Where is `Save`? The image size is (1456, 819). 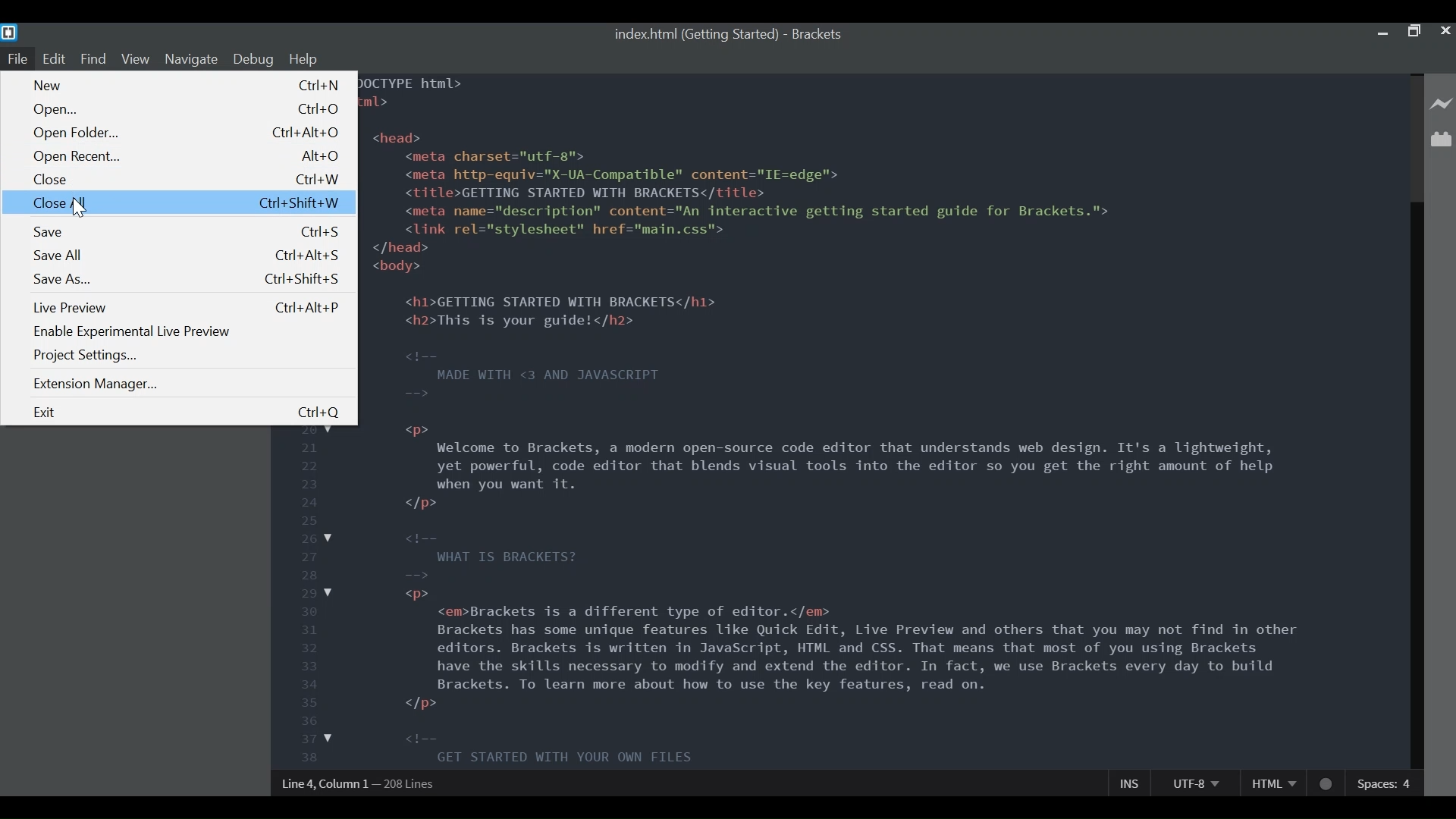 Save is located at coordinates (184, 233).